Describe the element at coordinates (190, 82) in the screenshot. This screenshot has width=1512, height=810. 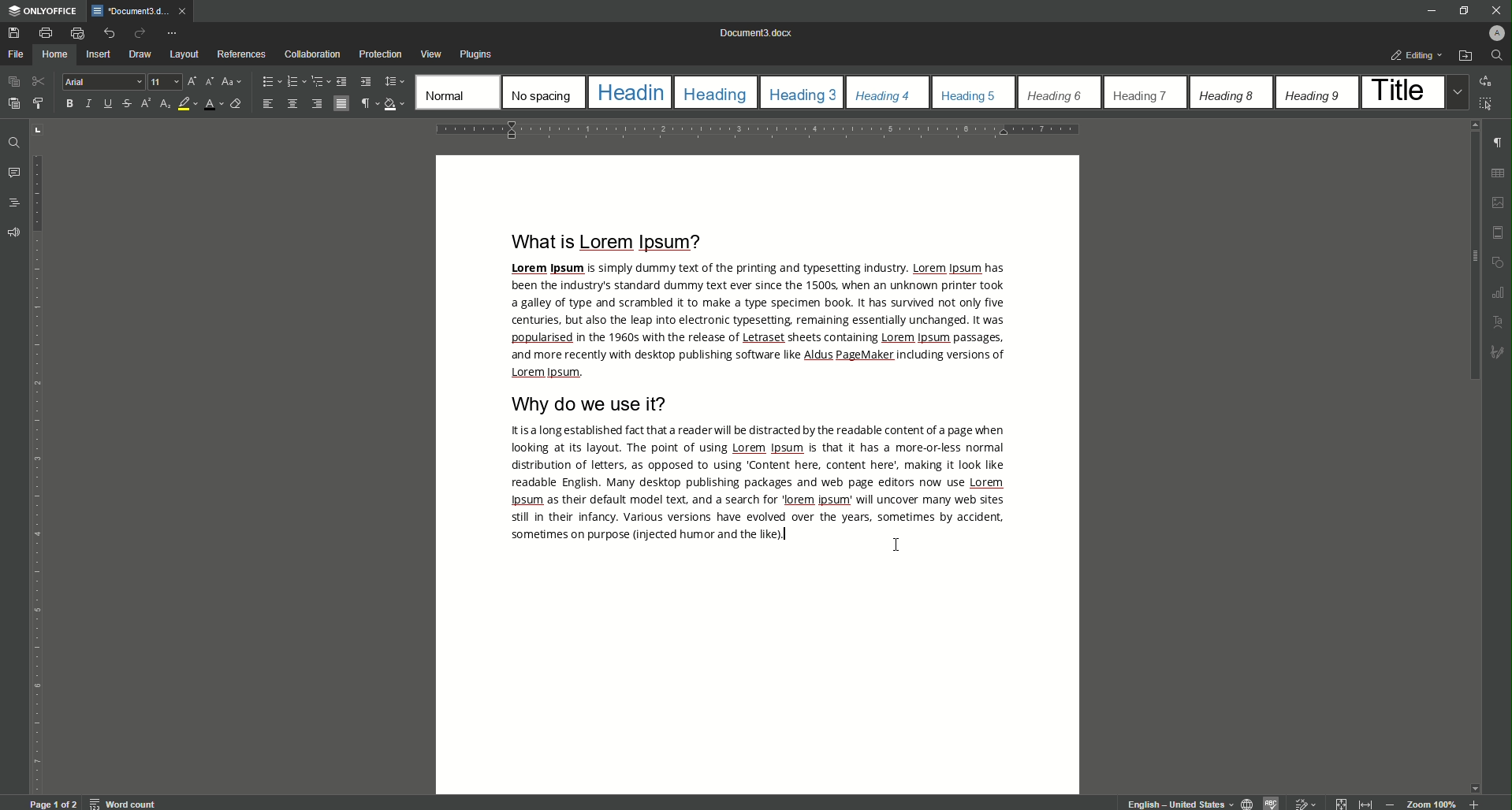
I see `Increment Font Size` at that location.